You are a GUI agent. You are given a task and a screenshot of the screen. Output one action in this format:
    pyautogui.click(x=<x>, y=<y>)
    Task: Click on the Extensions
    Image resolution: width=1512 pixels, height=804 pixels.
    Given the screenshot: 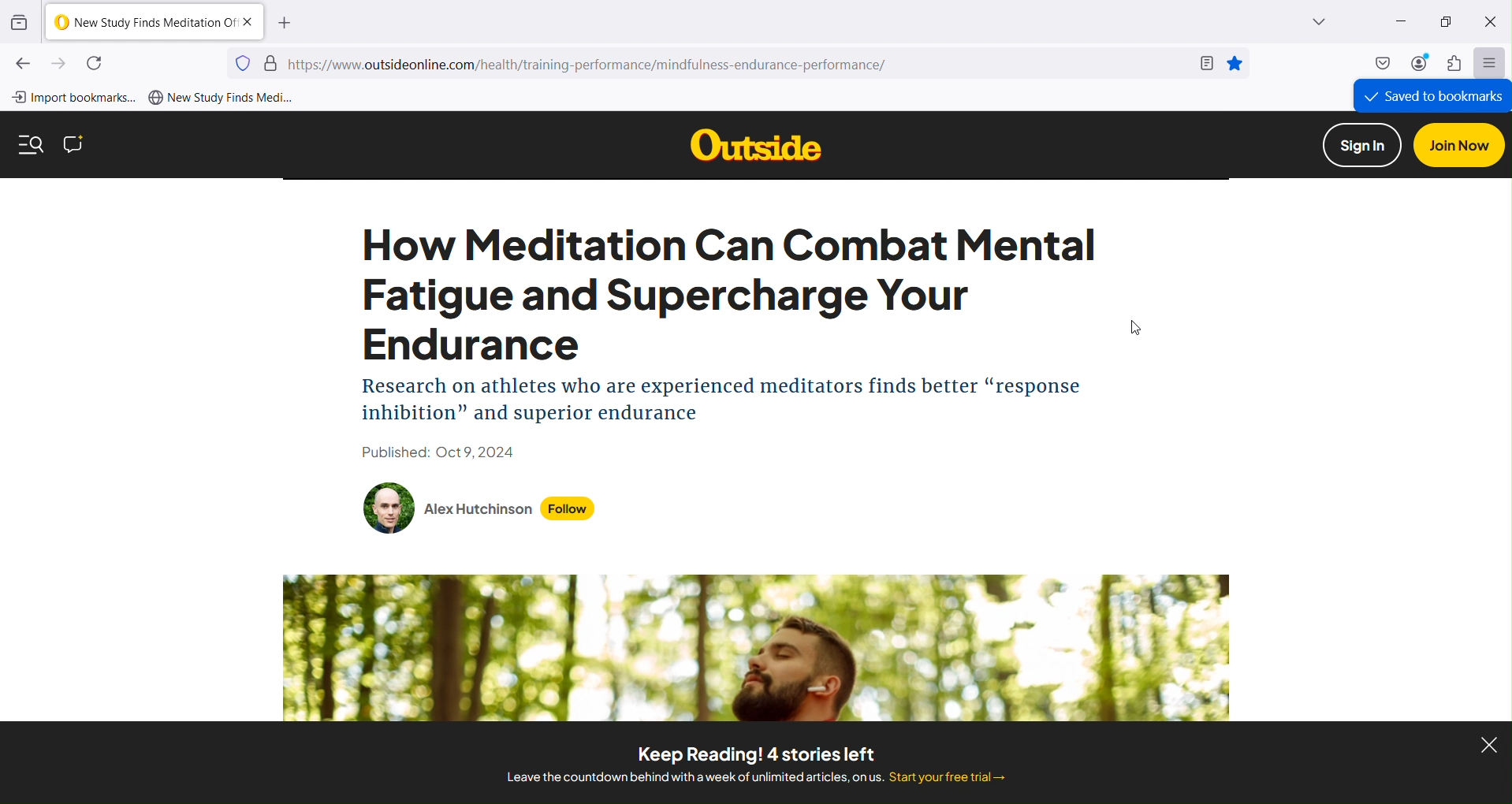 What is the action you would take?
    pyautogui.click(x=1457, y=63)
    